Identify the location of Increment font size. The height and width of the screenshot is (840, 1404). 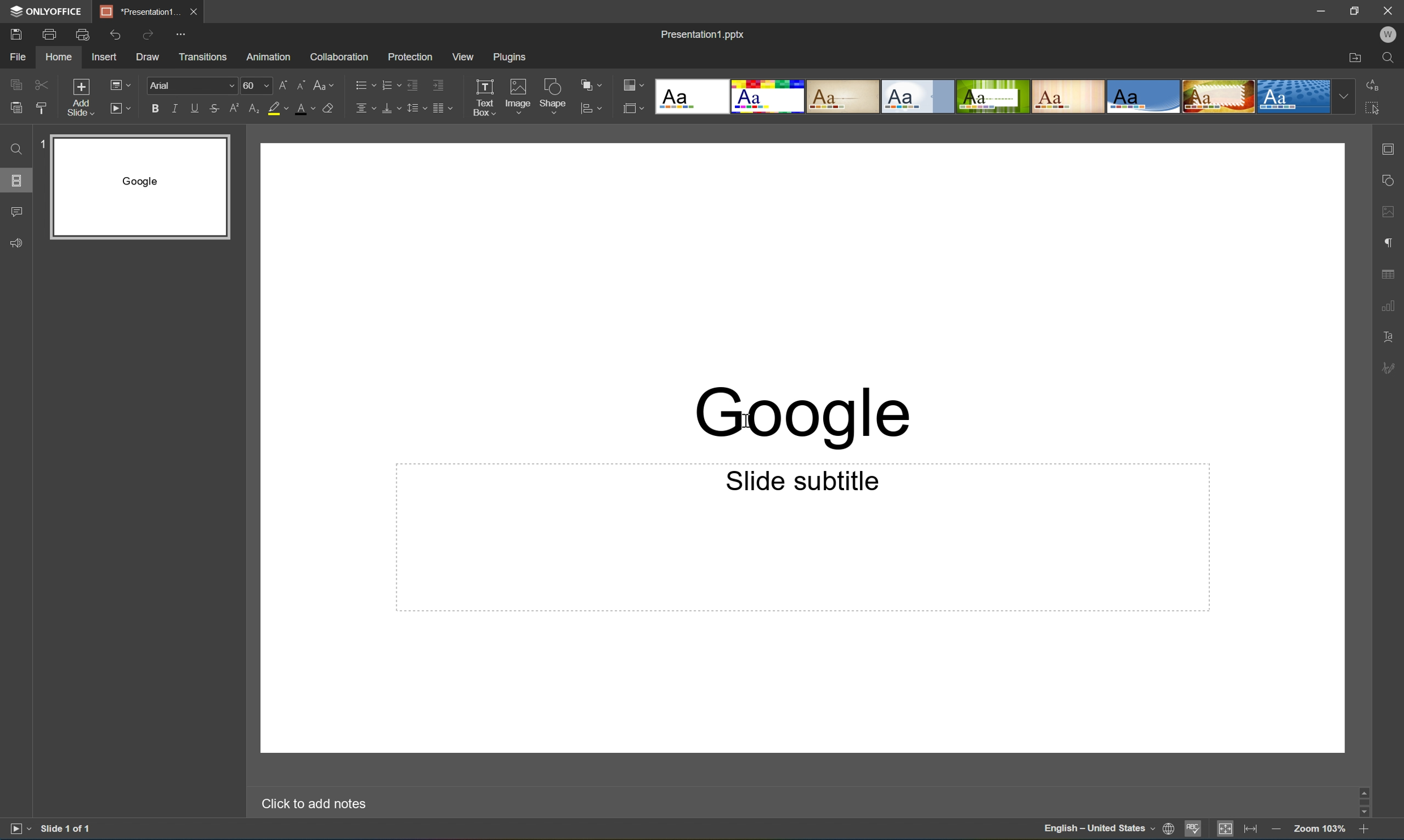
(285, 84).